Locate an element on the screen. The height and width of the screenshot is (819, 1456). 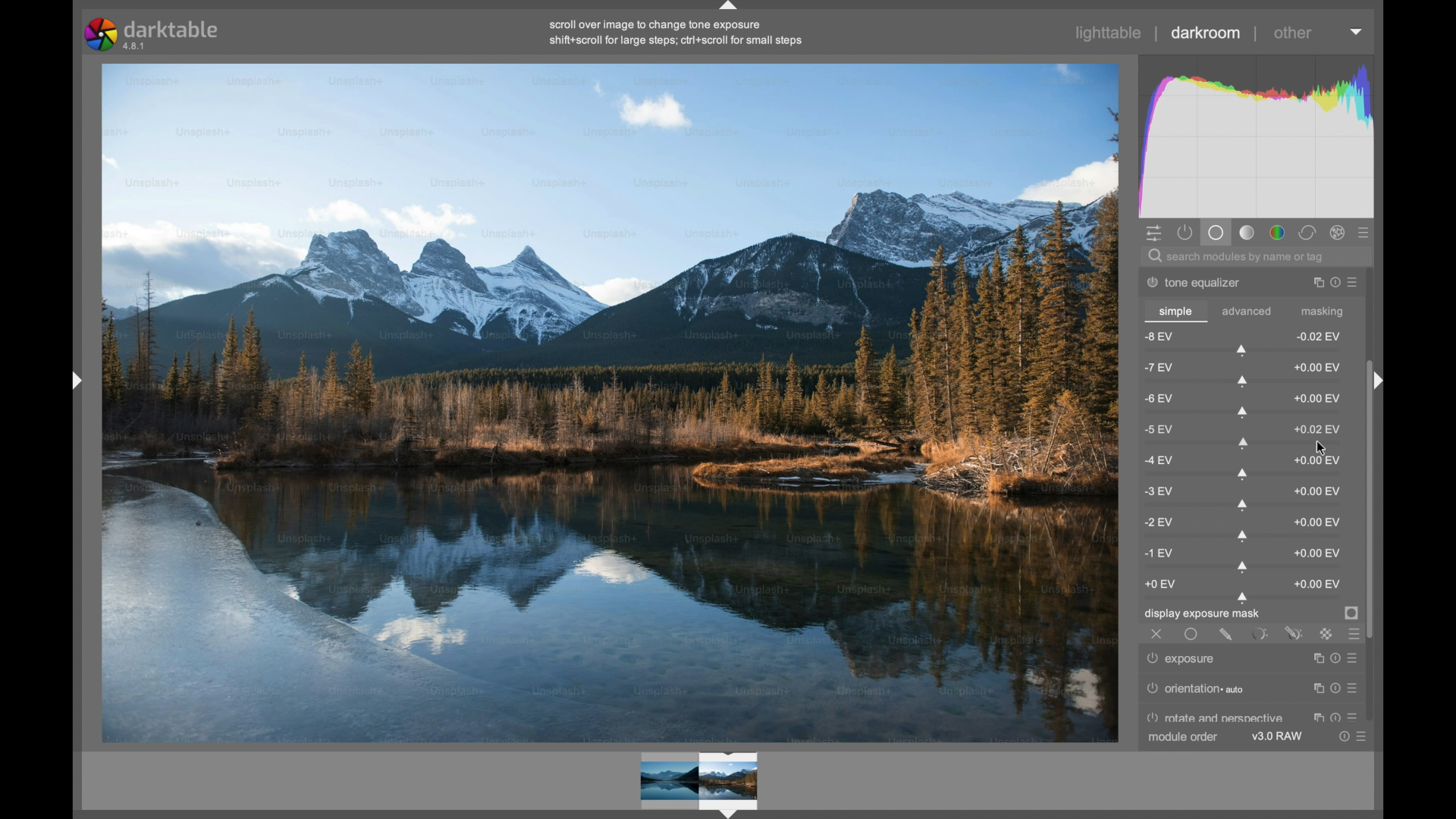
Instance is located at coordinates (1316, 674).